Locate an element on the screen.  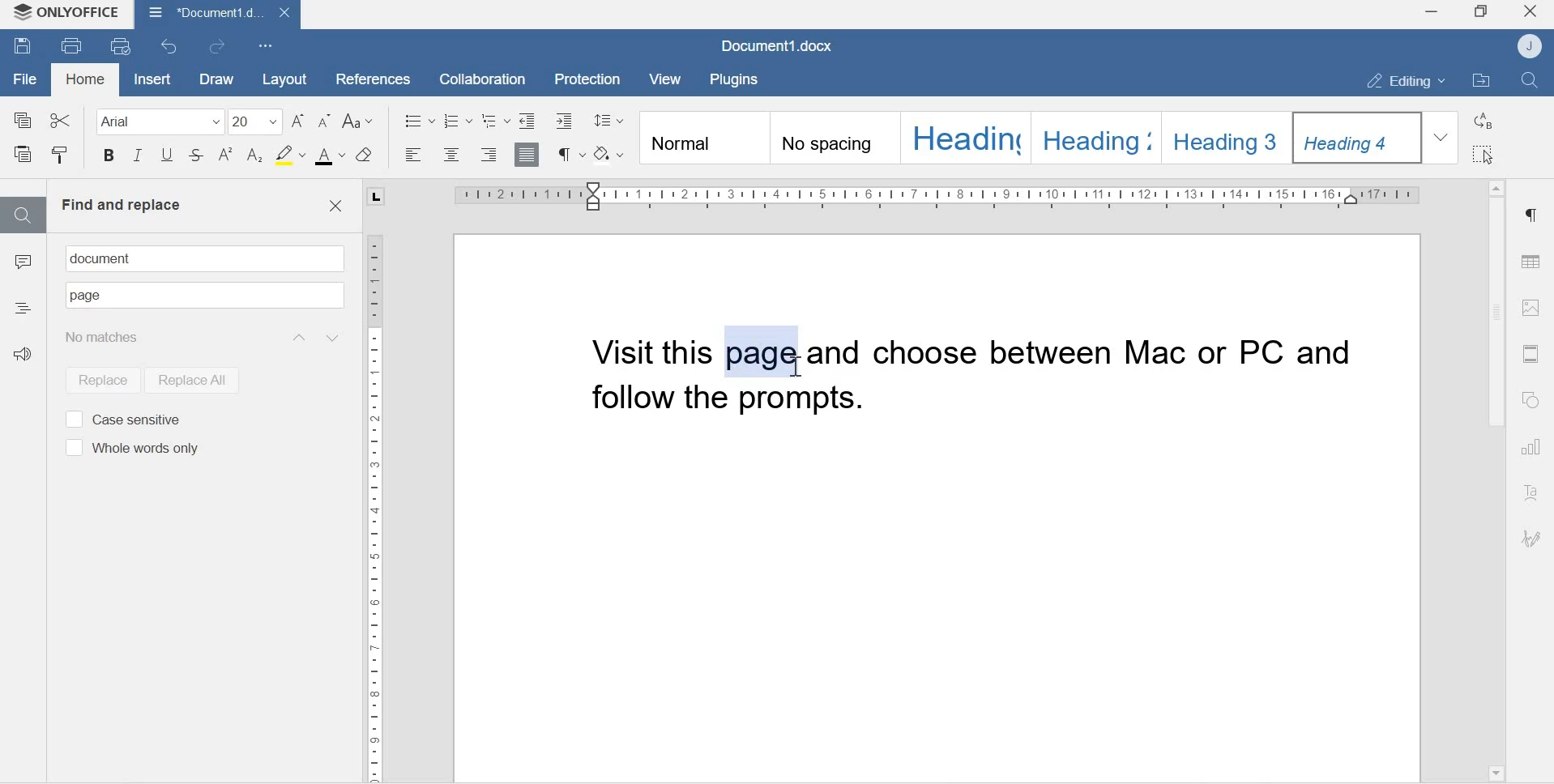
Previous result is located at coordinates (297, 337).